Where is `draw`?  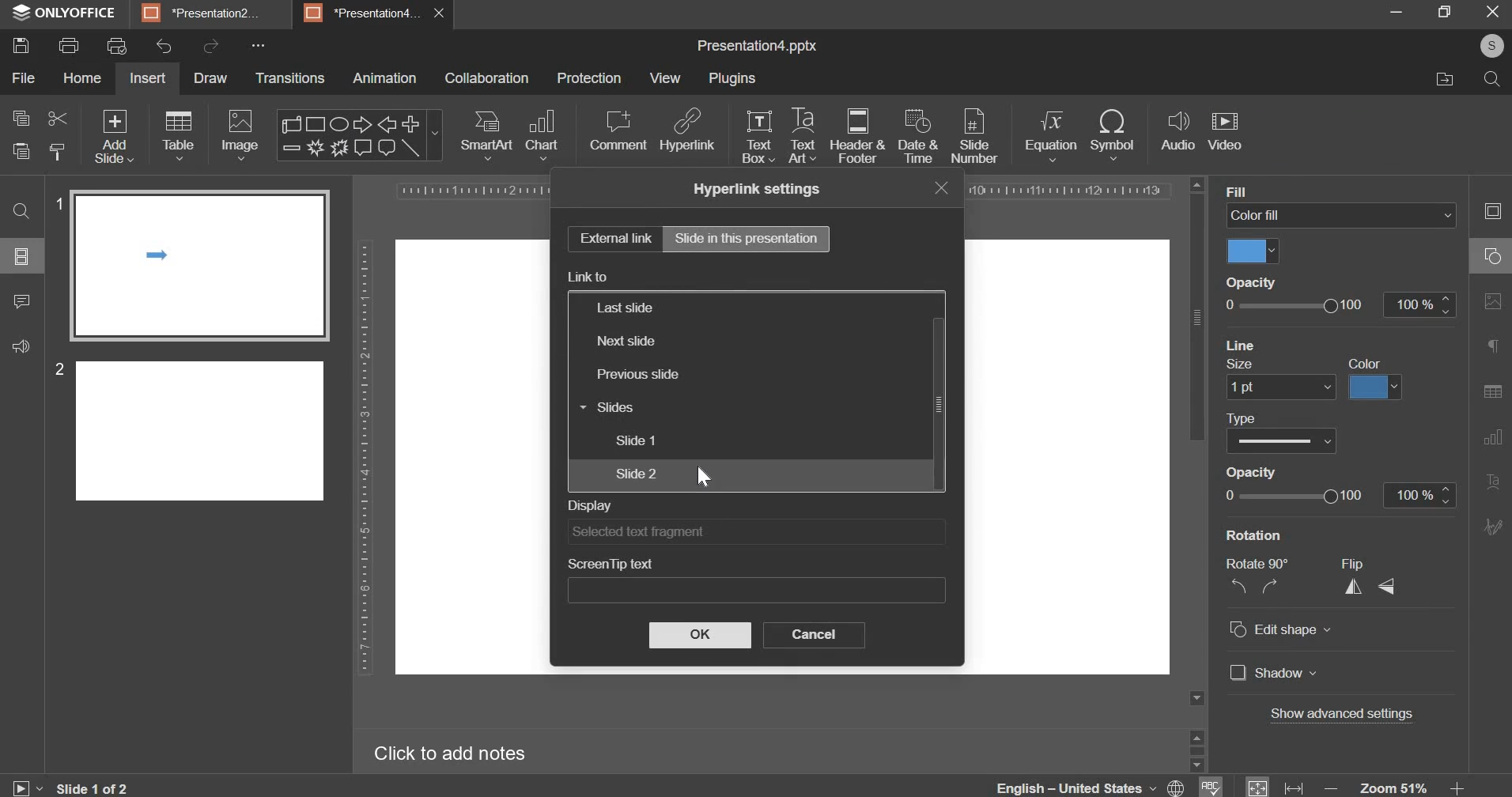 draw is located at coordinates (210, 77).